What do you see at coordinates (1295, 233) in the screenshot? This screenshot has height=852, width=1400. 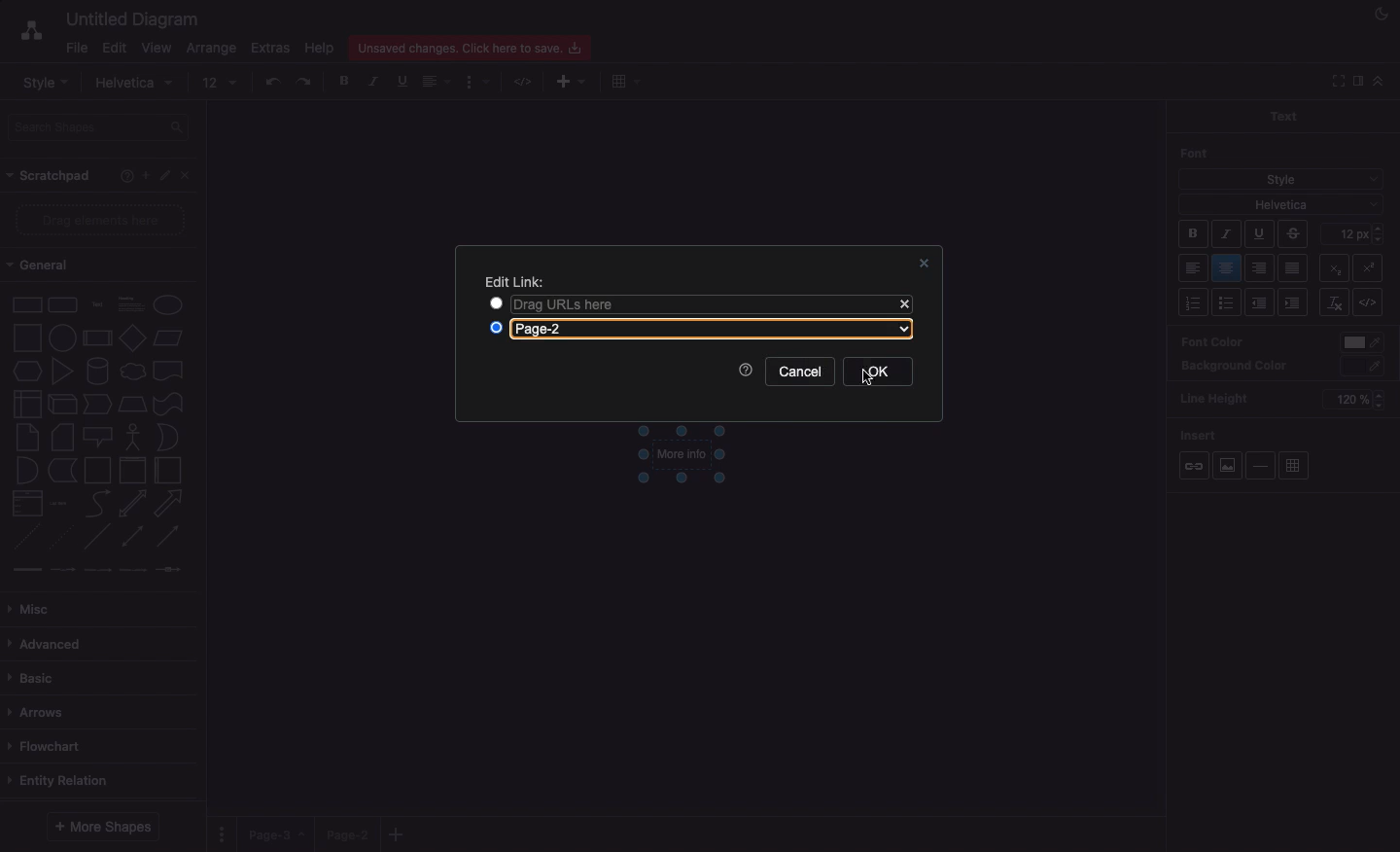 I see `Strikethrough` at bounding box center [1295, 233].